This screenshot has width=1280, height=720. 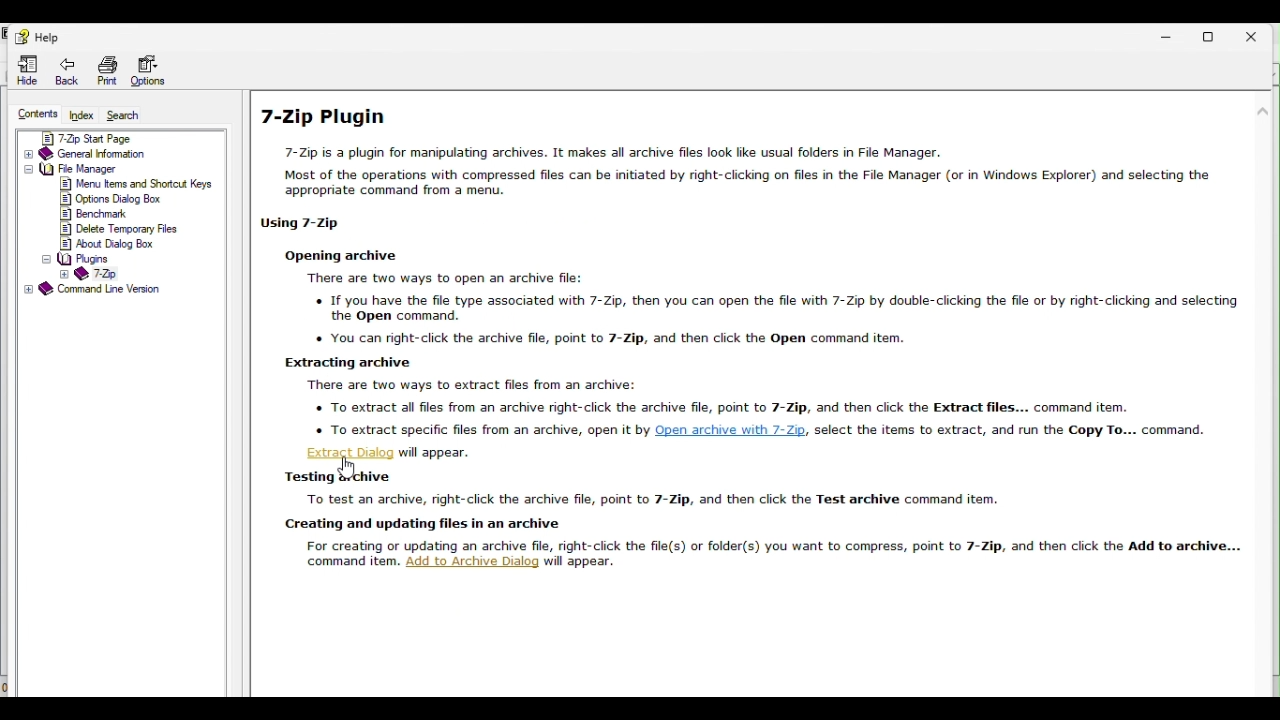 What do you see at coordinates (312, 224) in the screenshot?
I see `using 7 zip` at bounding box center [312, 224].